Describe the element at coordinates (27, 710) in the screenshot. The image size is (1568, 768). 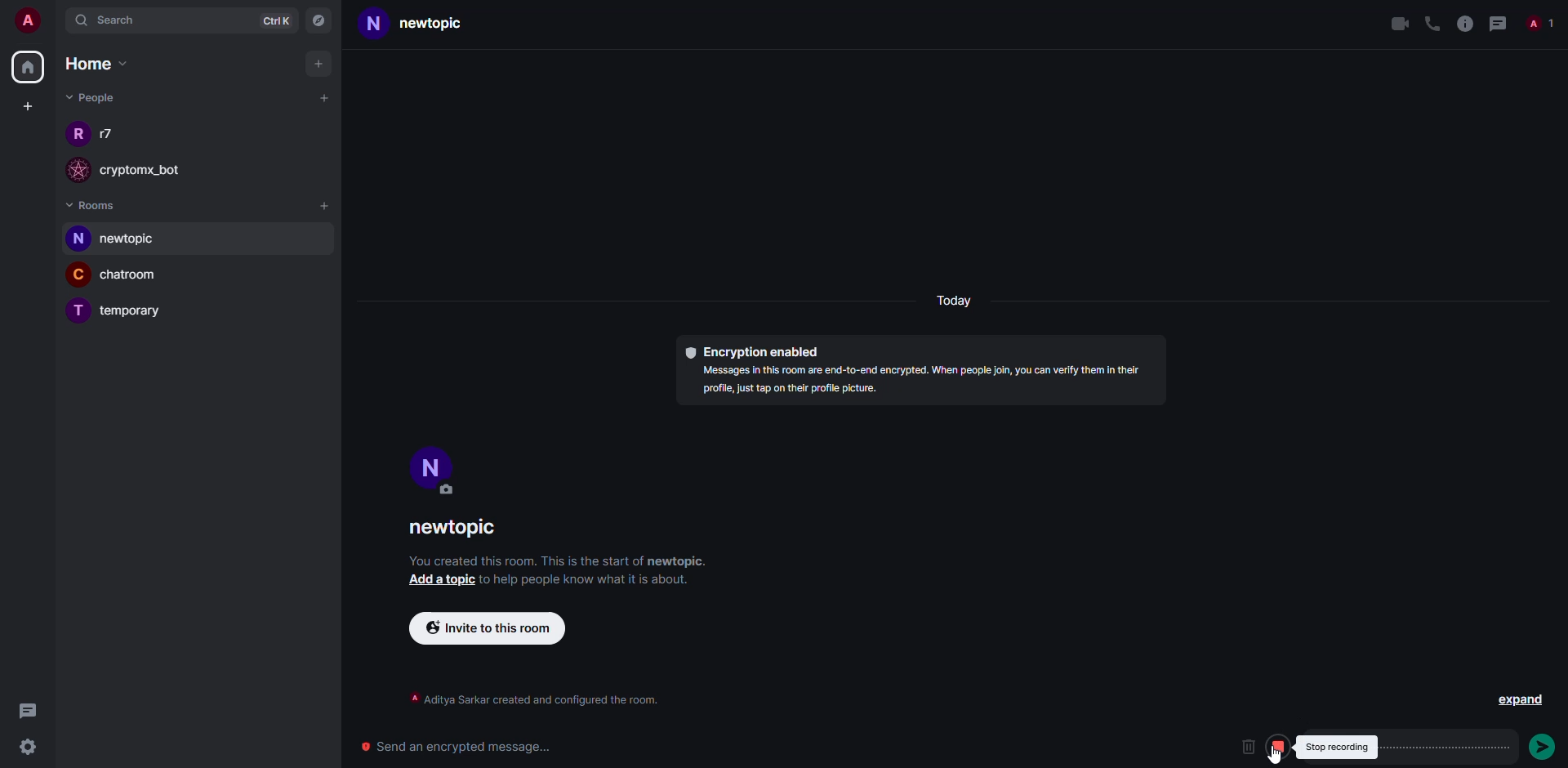
I see `threads` at that location.